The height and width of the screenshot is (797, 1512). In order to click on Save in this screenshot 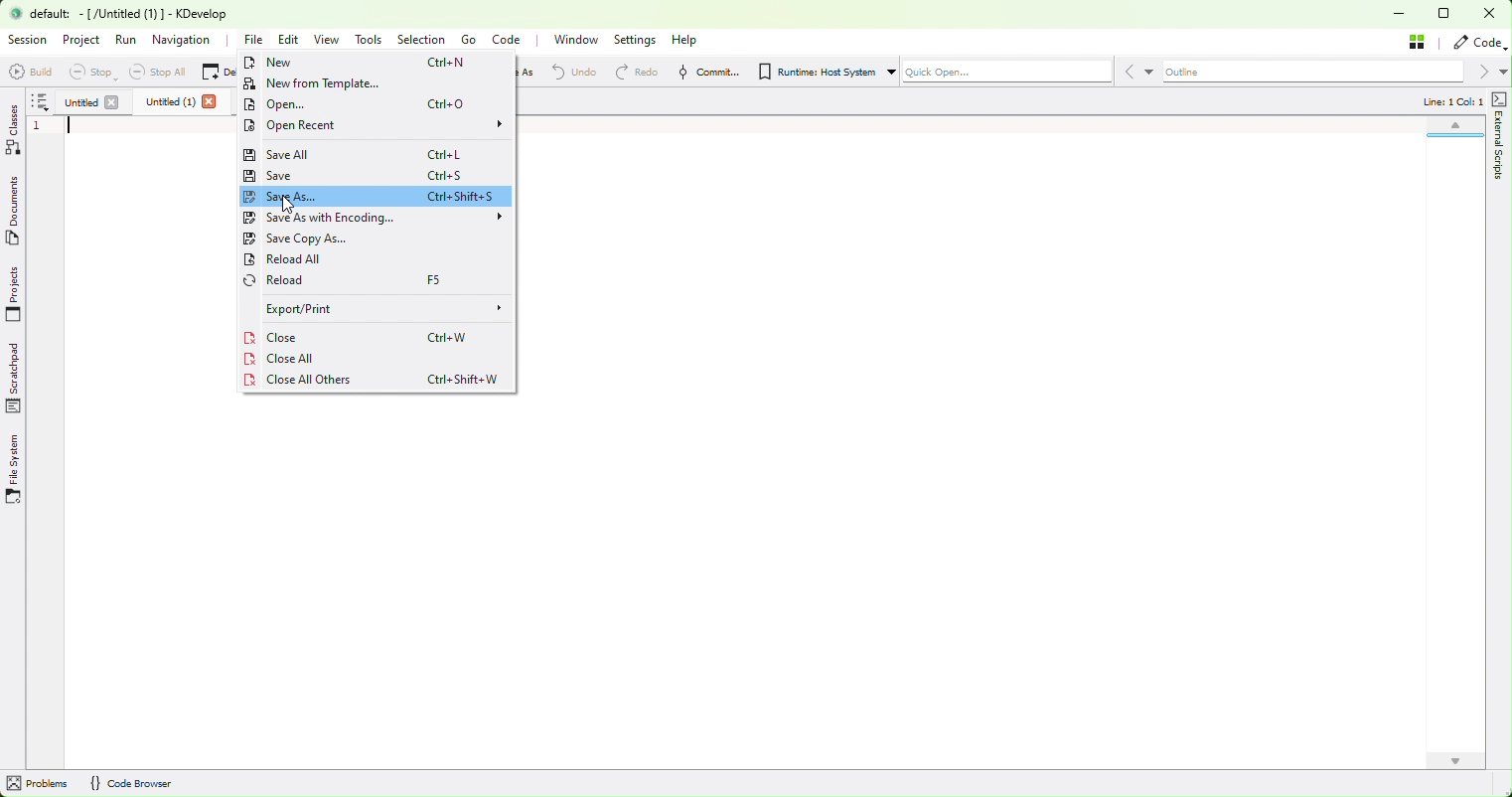, I will do `click(292, 177)`.